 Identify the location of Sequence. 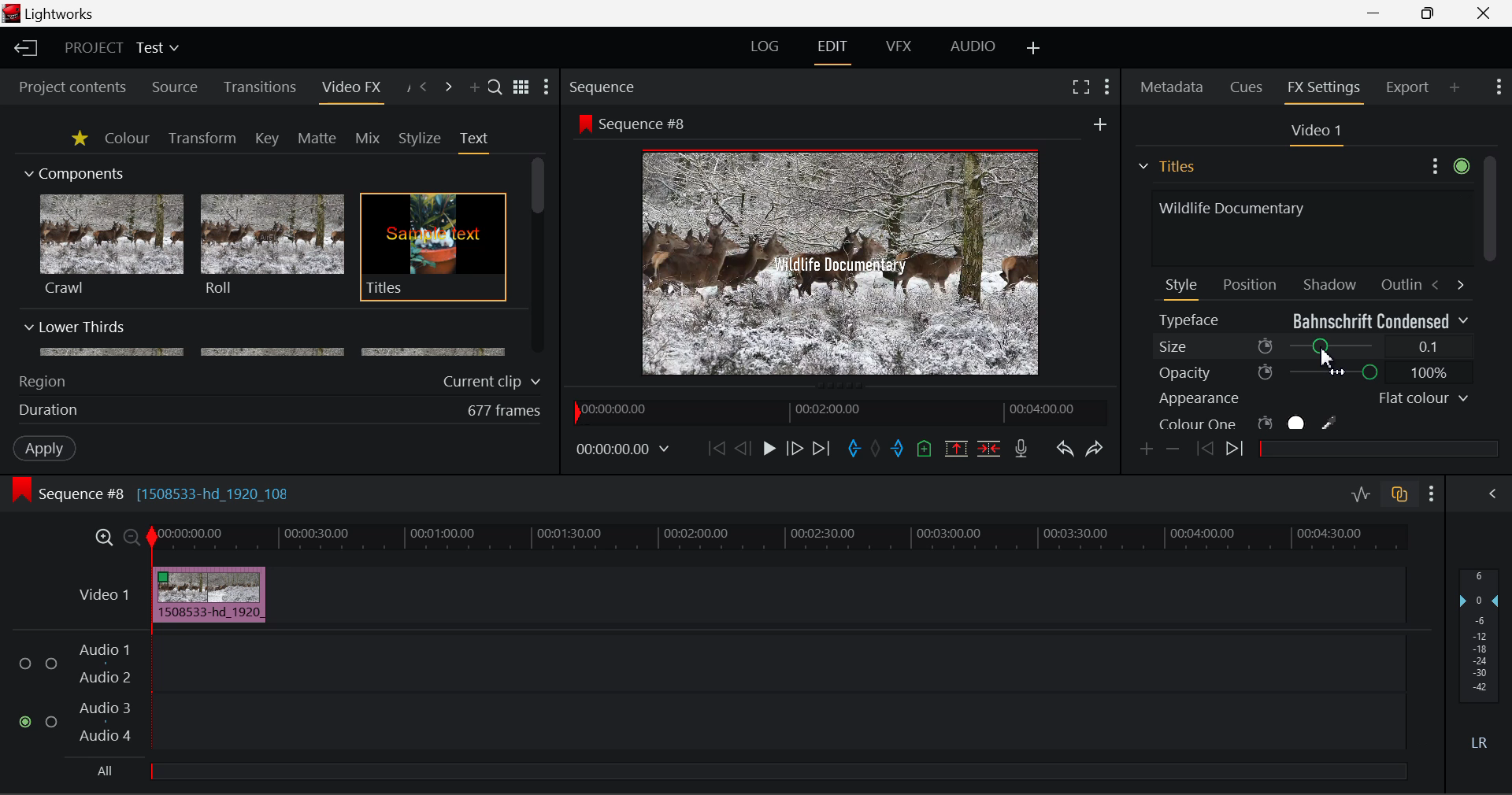
(601, 87).